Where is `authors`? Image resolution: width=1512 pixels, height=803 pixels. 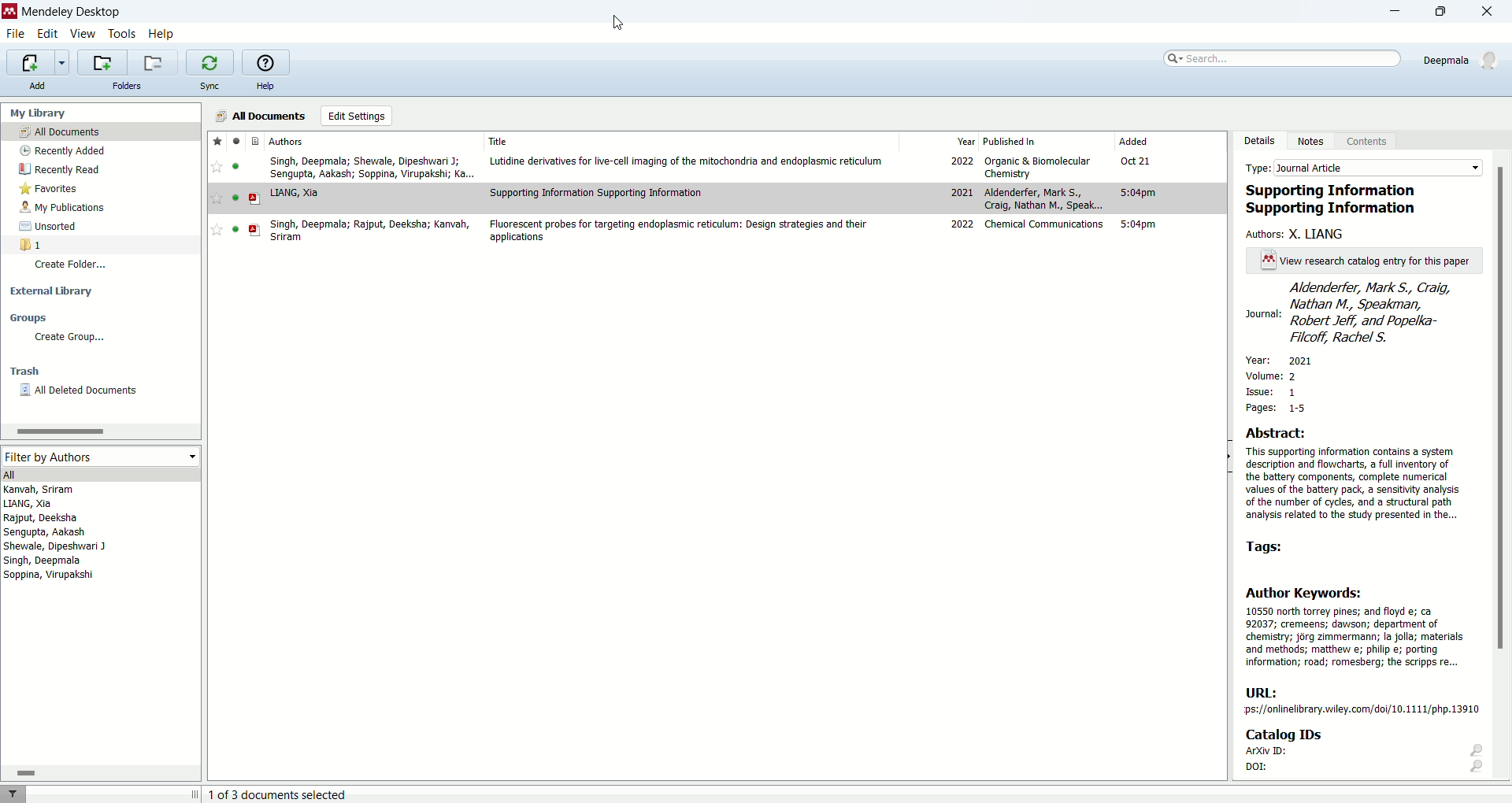
authors is located at coordinates (287, 141).